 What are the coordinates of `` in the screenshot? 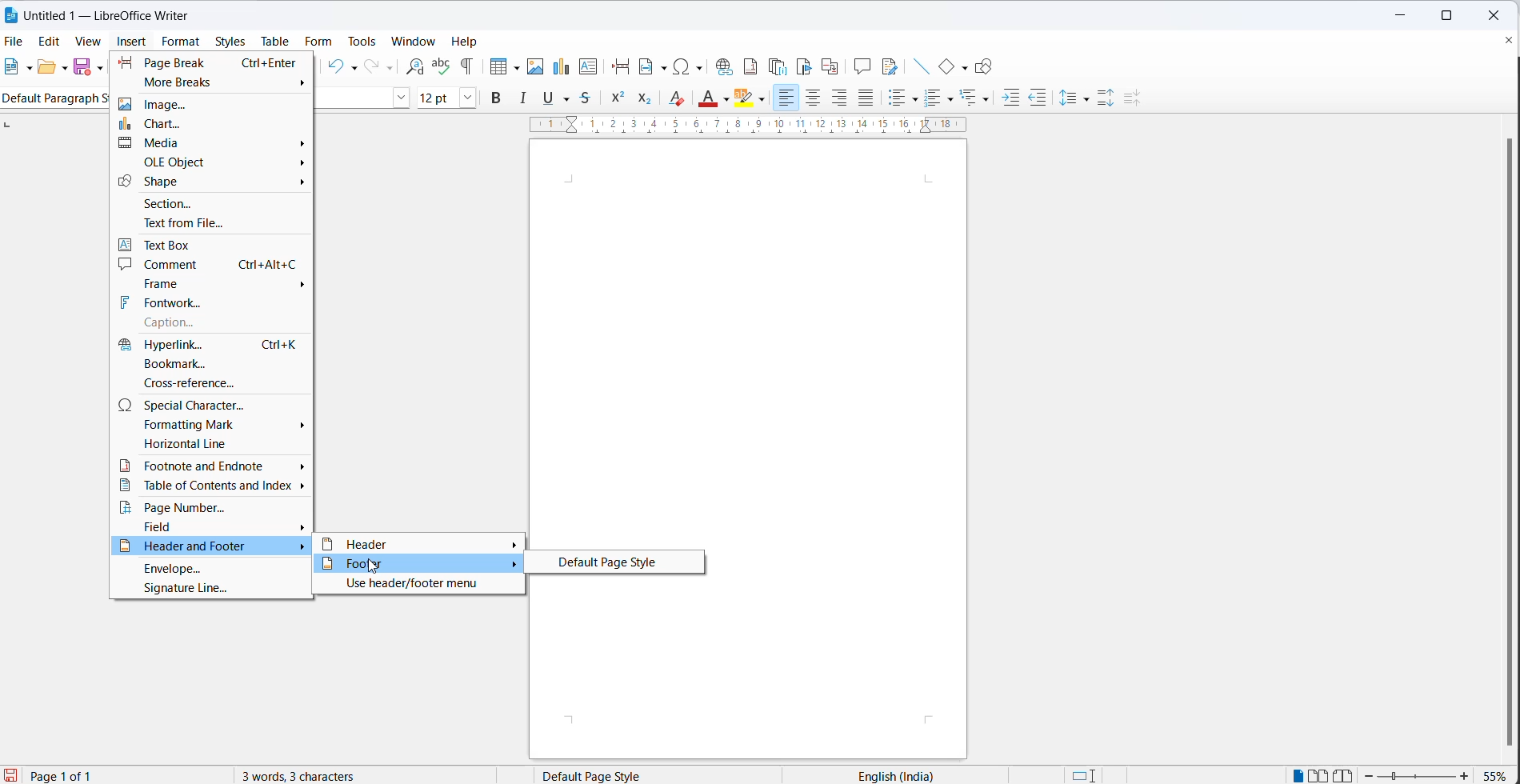 It's located at (215, 546).